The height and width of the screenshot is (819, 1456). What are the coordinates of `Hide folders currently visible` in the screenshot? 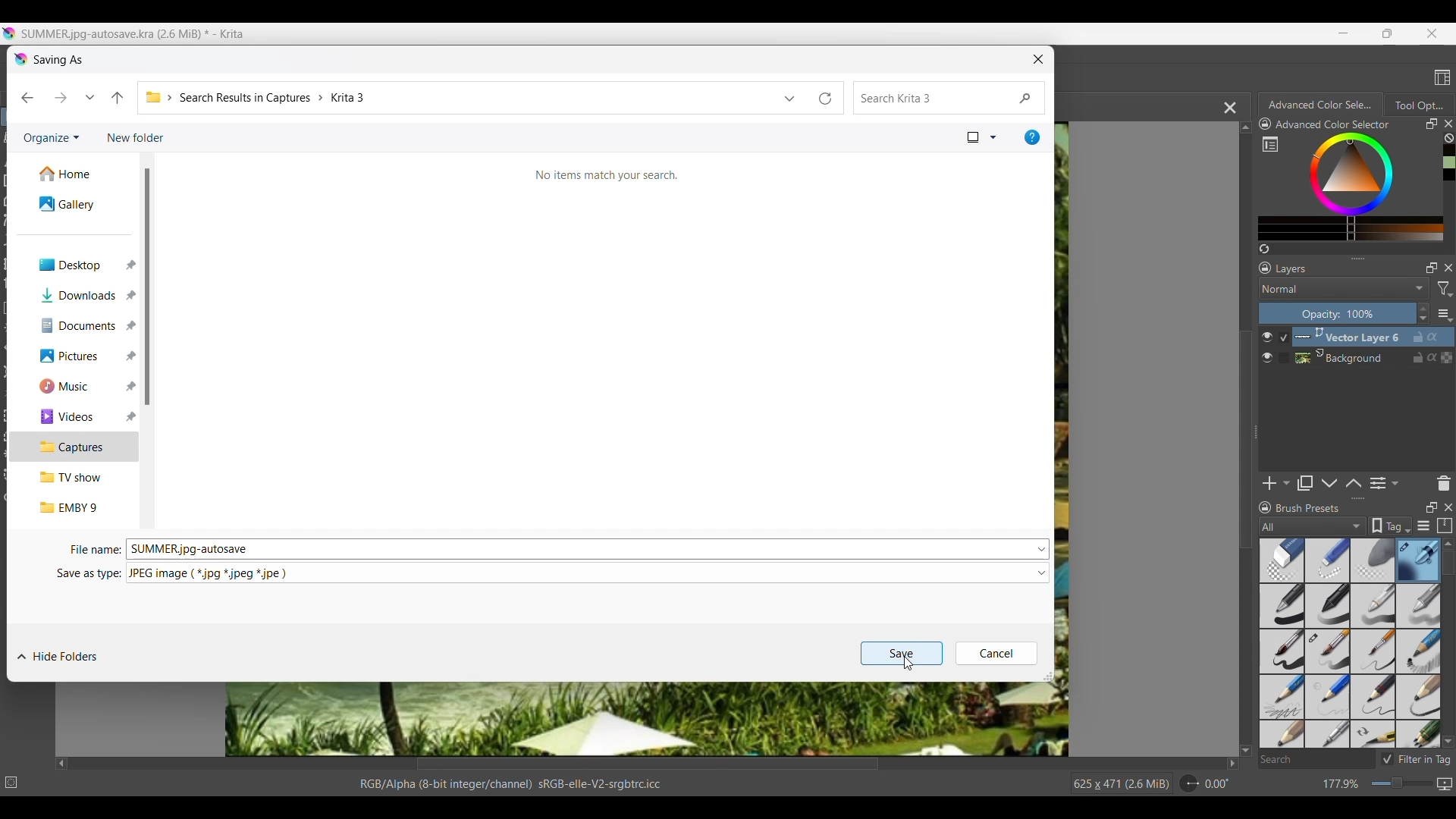 It's located at (58, 657).